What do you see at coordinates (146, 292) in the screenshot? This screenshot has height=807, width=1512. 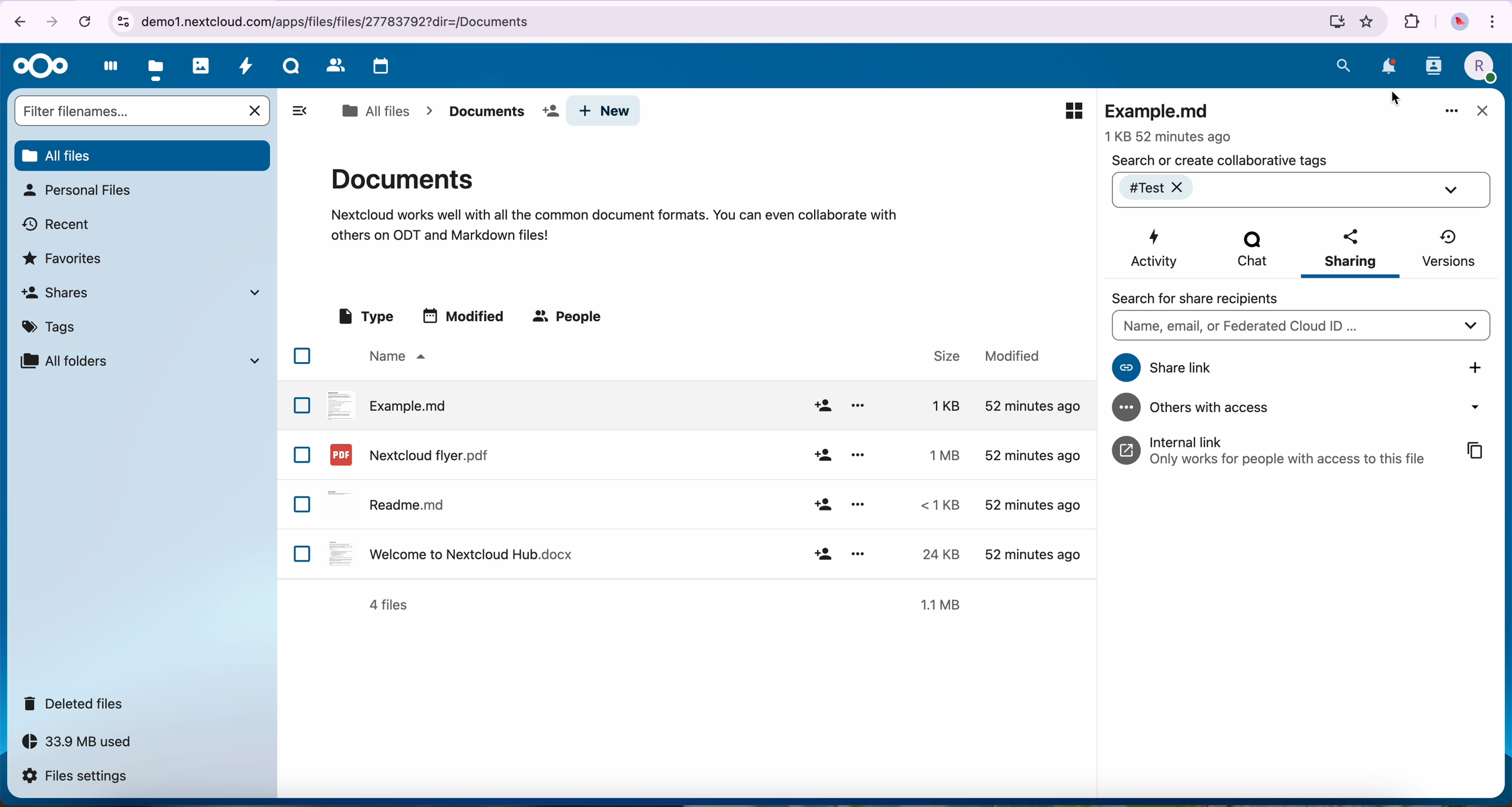 I see `shares tab` at bounding box center [146, 292].